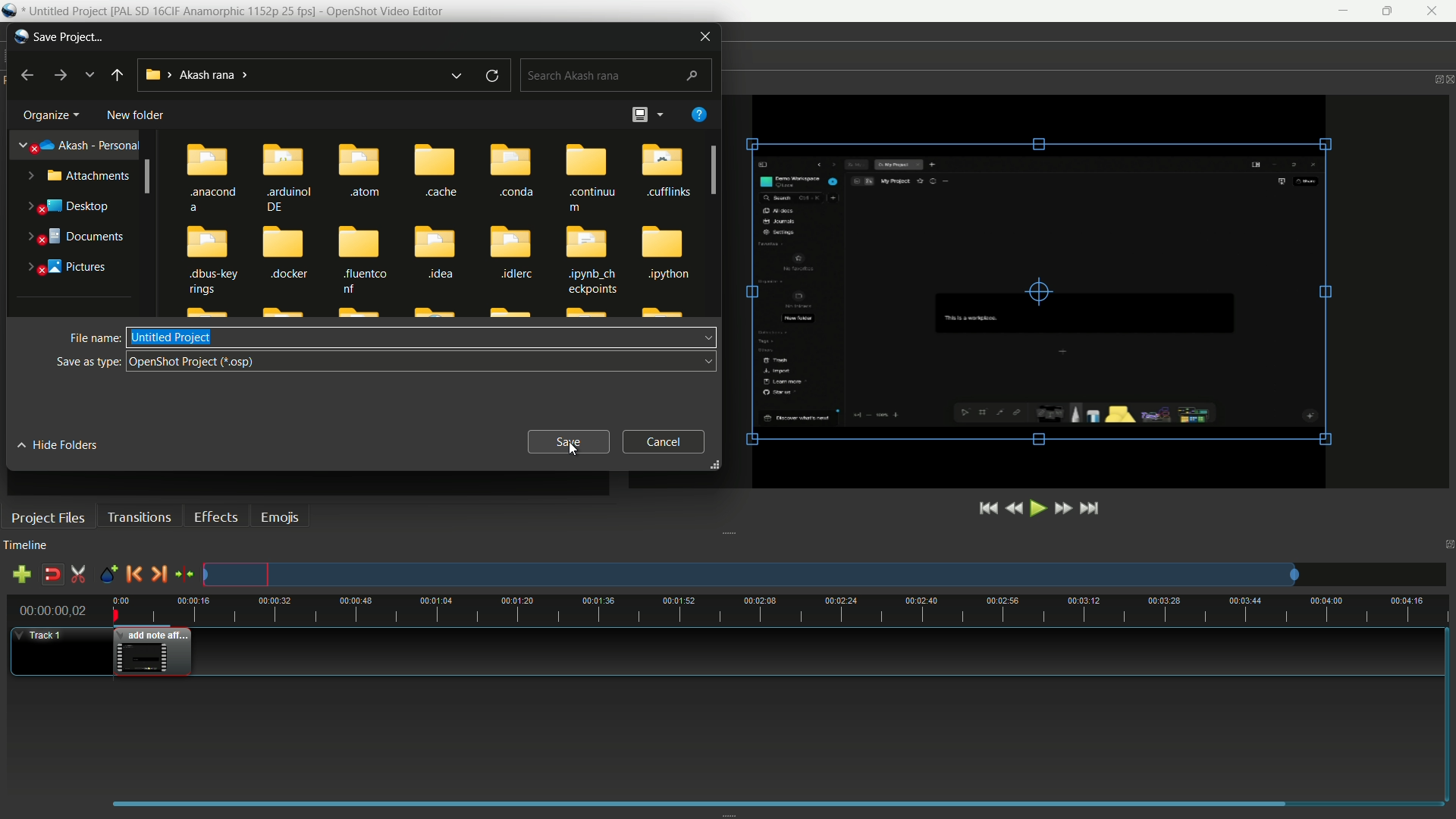  What do you see at coordinates (440, 261) in the screenshot?
I see `idea` at bounding box center [440, 261].